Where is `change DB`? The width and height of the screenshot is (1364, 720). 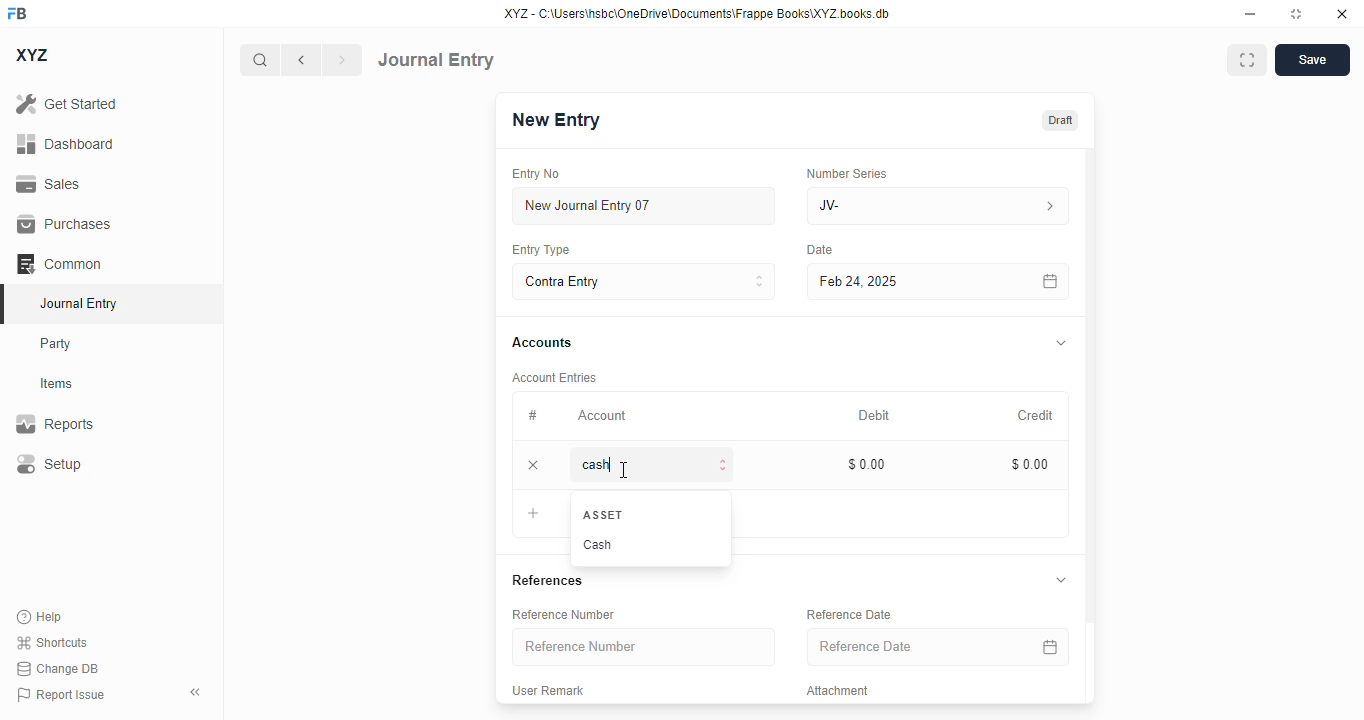
change DB is located at coordinates (57, 668).